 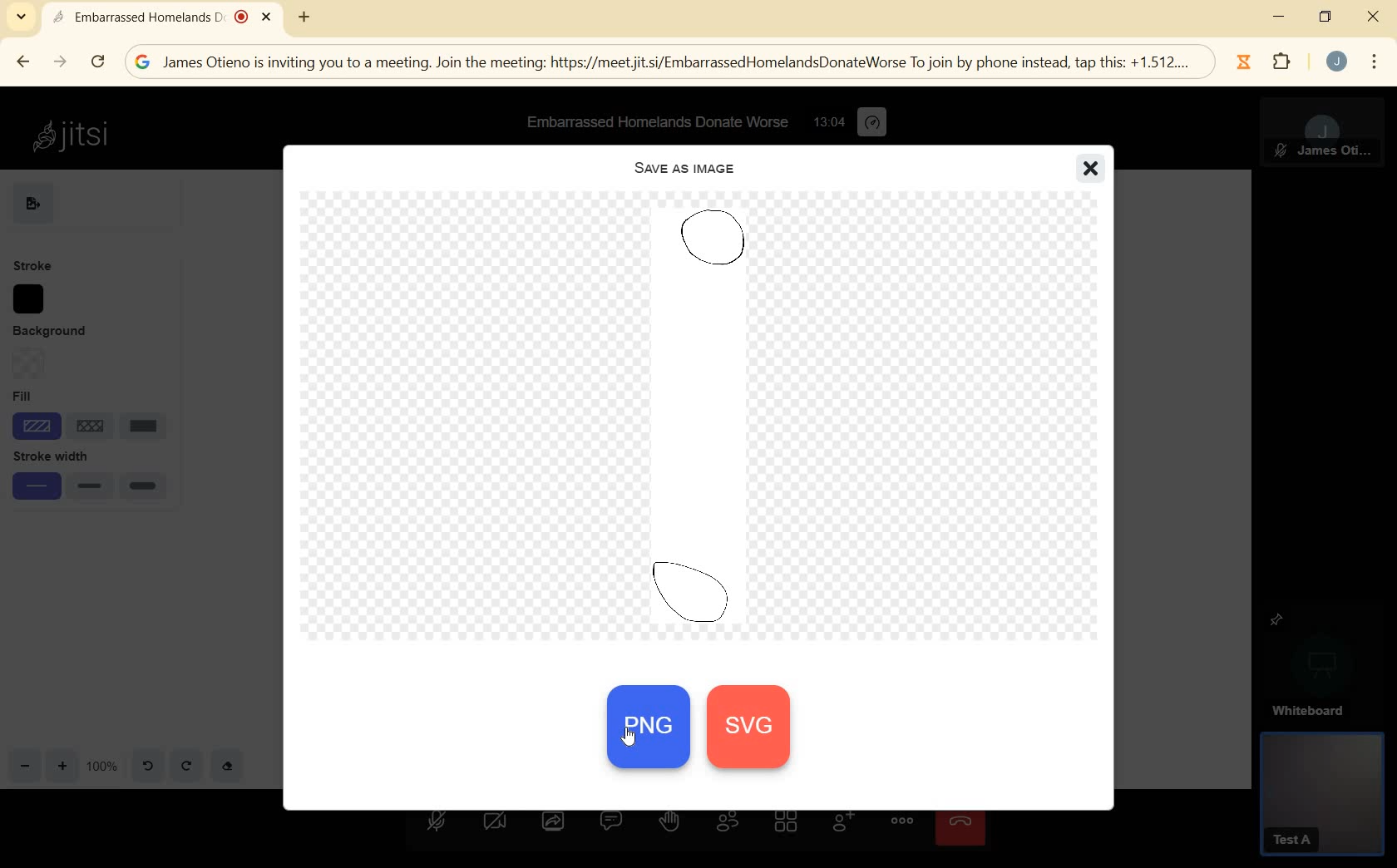 What do you see at coordinates (1325, 661) in the screenshot?
I see `WHITEBOARD PINNED` at bounding box center [1325, 661].